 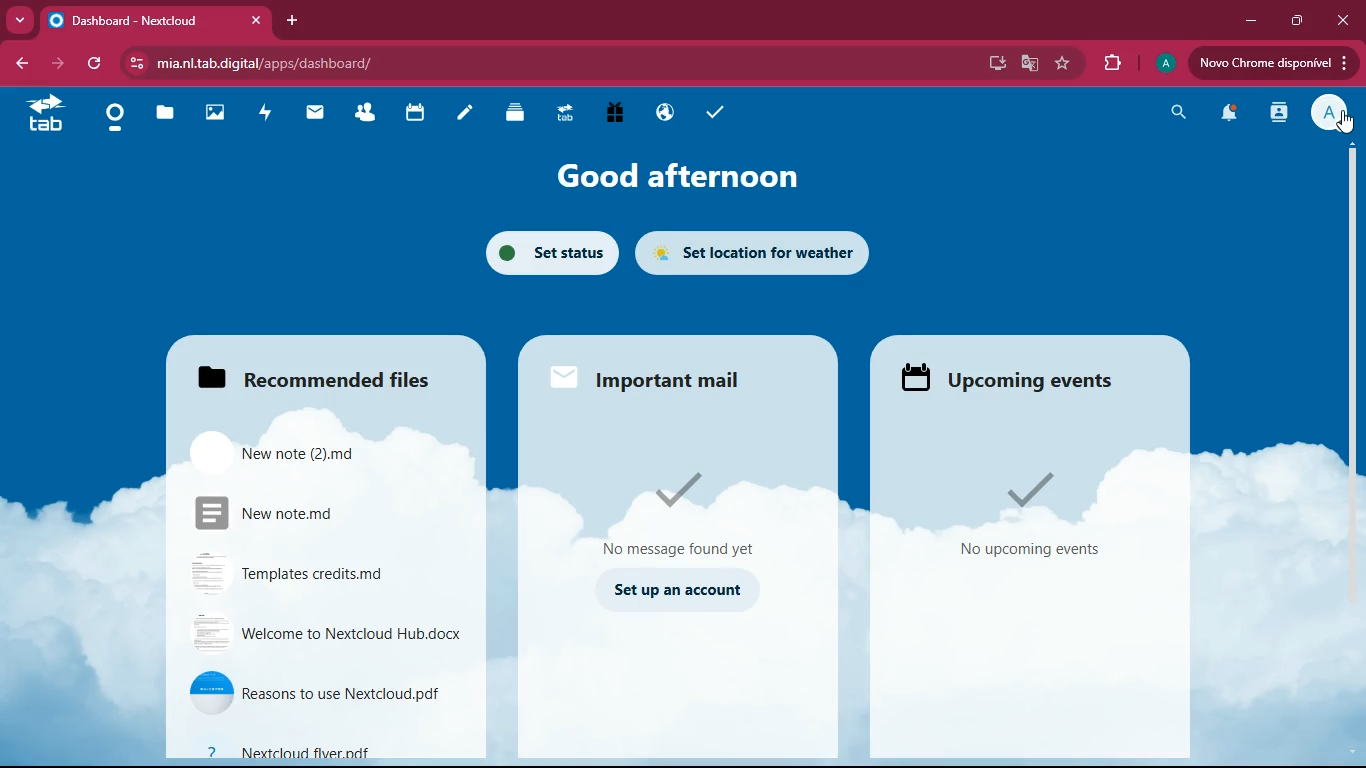 What do you see at coordinates (1001, 380) in the screenshot?
I see `upcoming events` at bounding box center [1001, 380].